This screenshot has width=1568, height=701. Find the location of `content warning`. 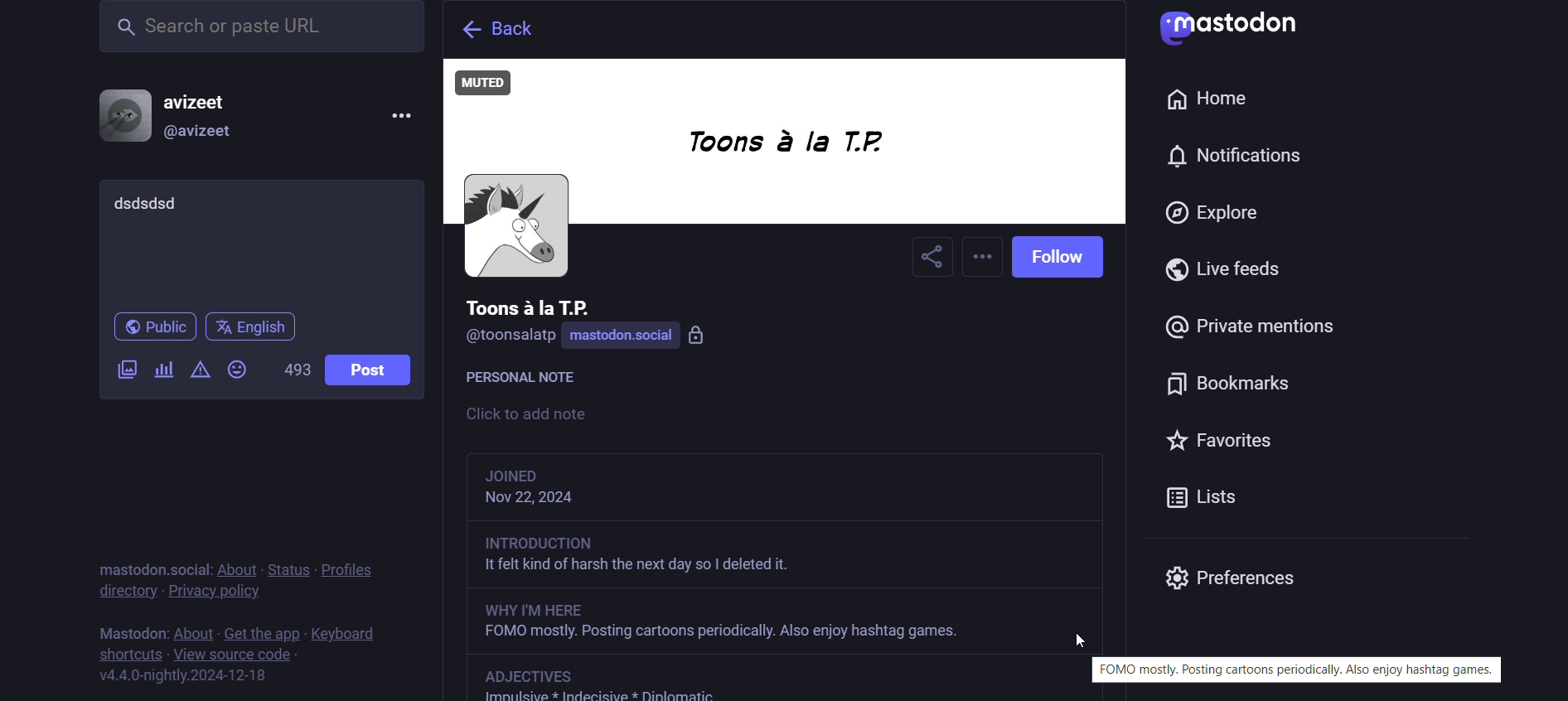

content warning is located at coordinates (198, 372).